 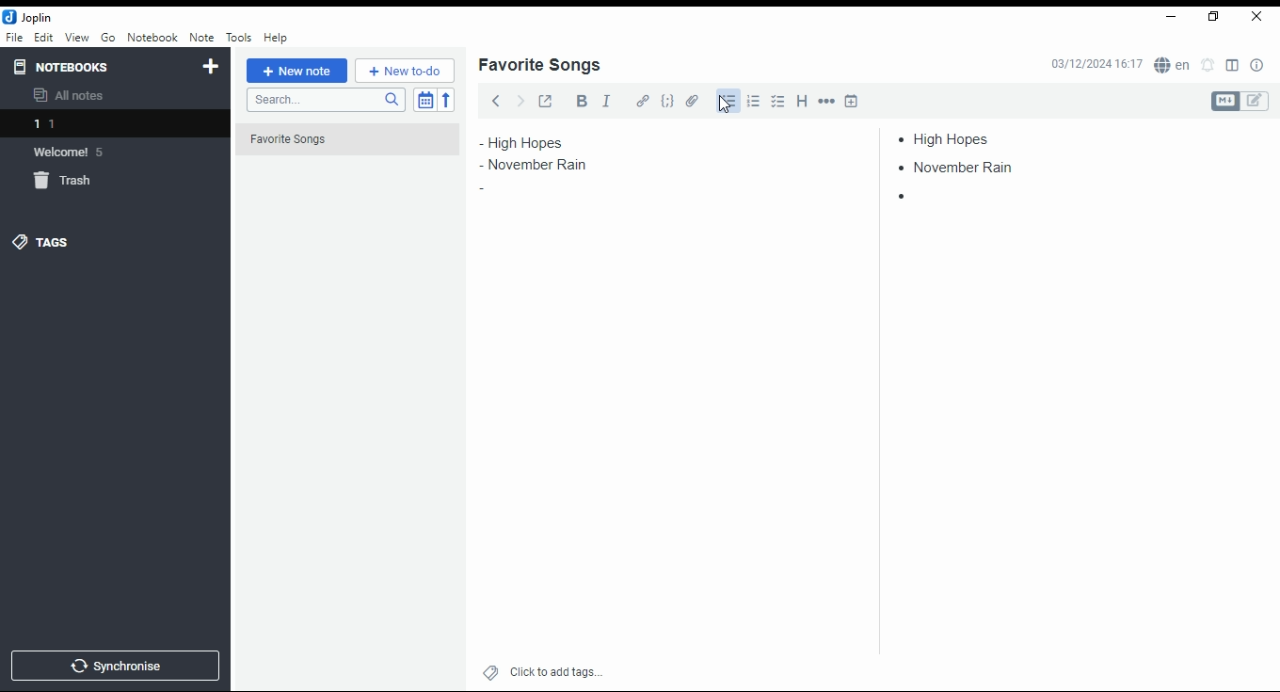 What do you see at coordinates (74, 96) in the screenshot?
I see `all notes` at bounding box center [74, 96].